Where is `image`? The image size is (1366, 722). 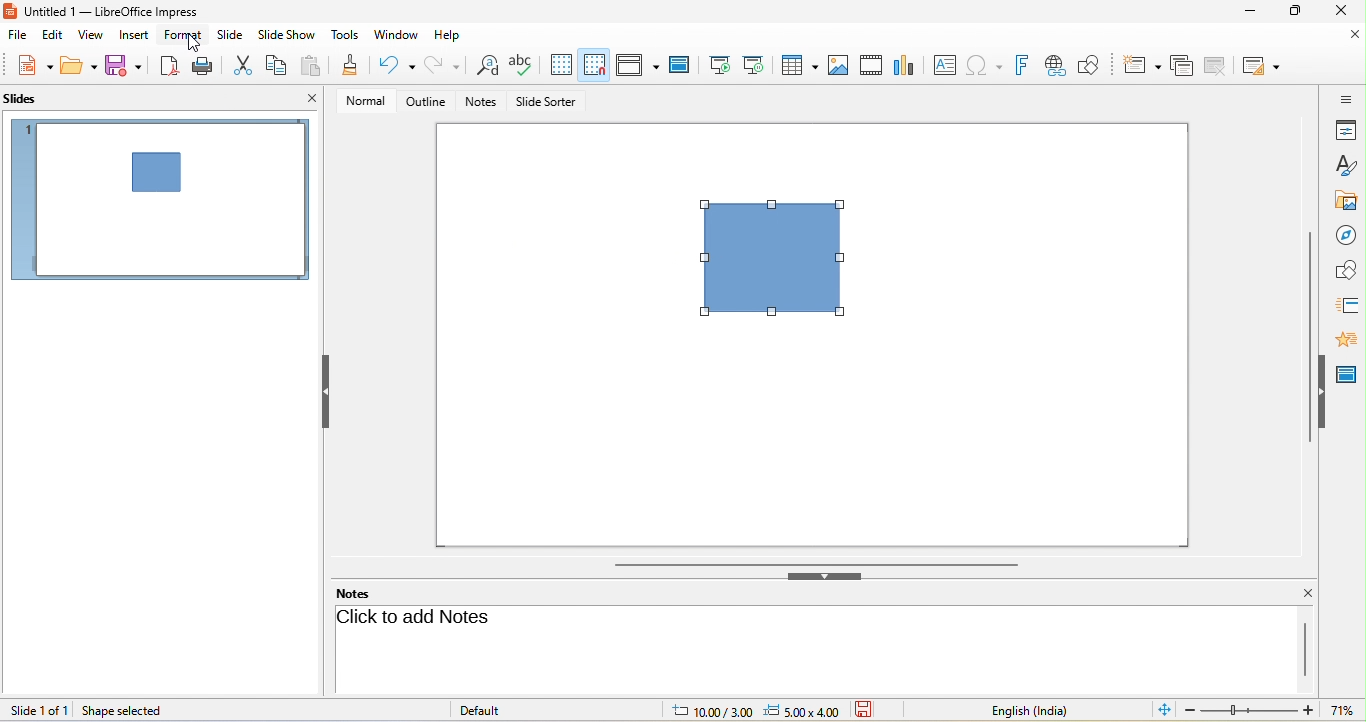 image is located at coordinates (837, 64).